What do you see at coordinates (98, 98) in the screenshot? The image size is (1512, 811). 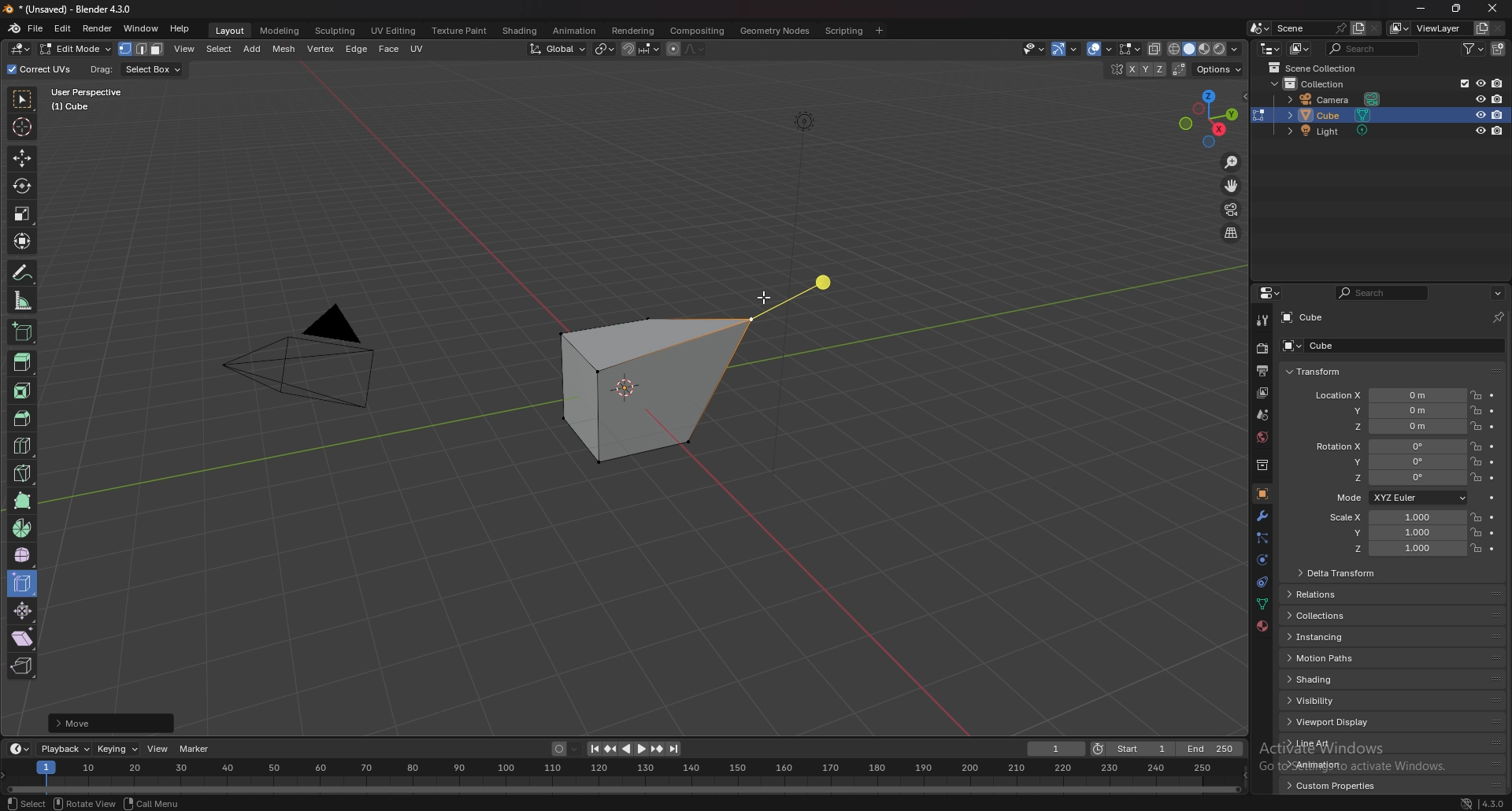 I see `user perspective` at bounding box center [98, 98].